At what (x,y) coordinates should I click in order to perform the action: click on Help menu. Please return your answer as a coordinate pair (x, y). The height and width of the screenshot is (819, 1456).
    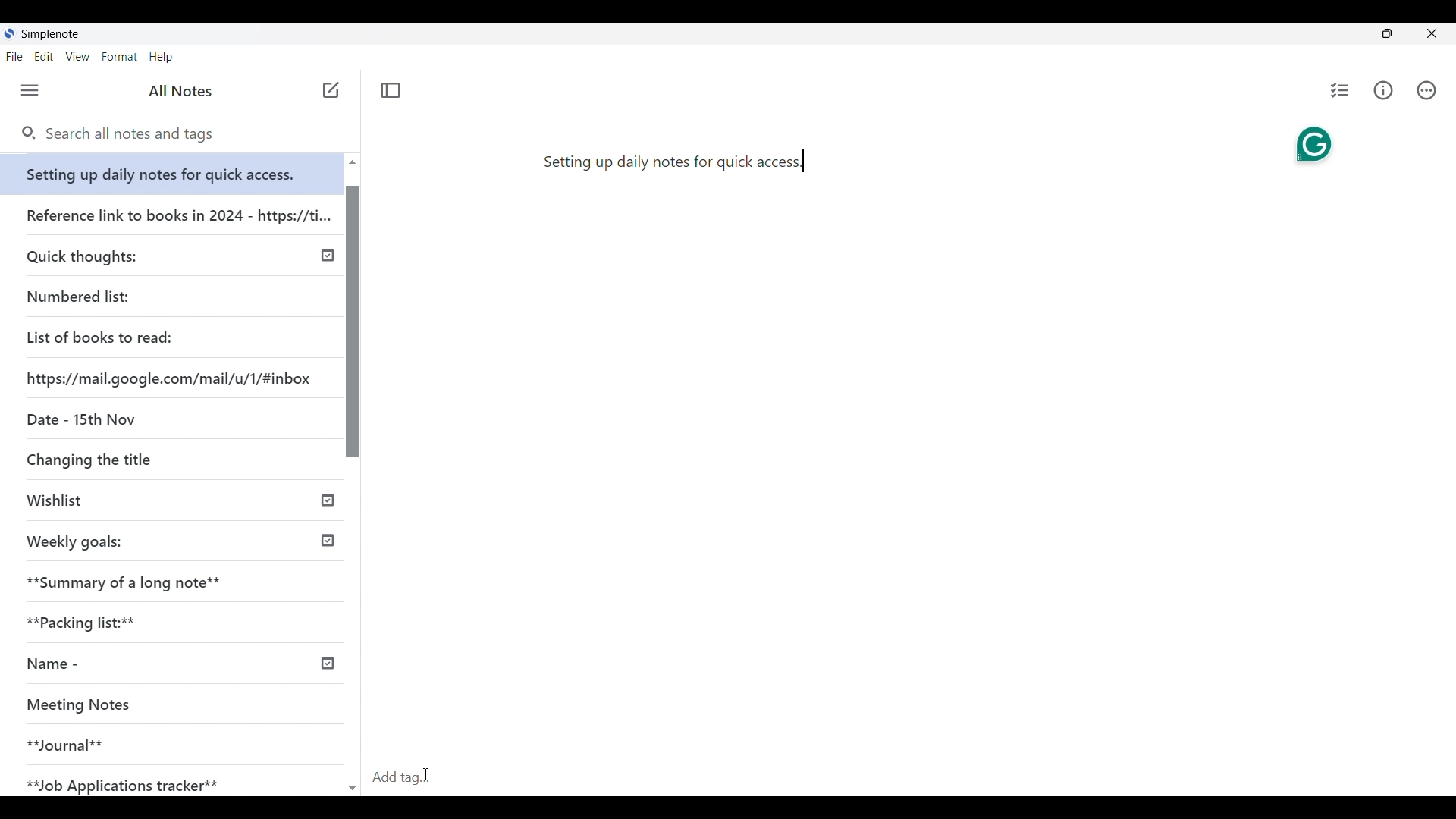
    Looking at the image, I should click on (161, 57).